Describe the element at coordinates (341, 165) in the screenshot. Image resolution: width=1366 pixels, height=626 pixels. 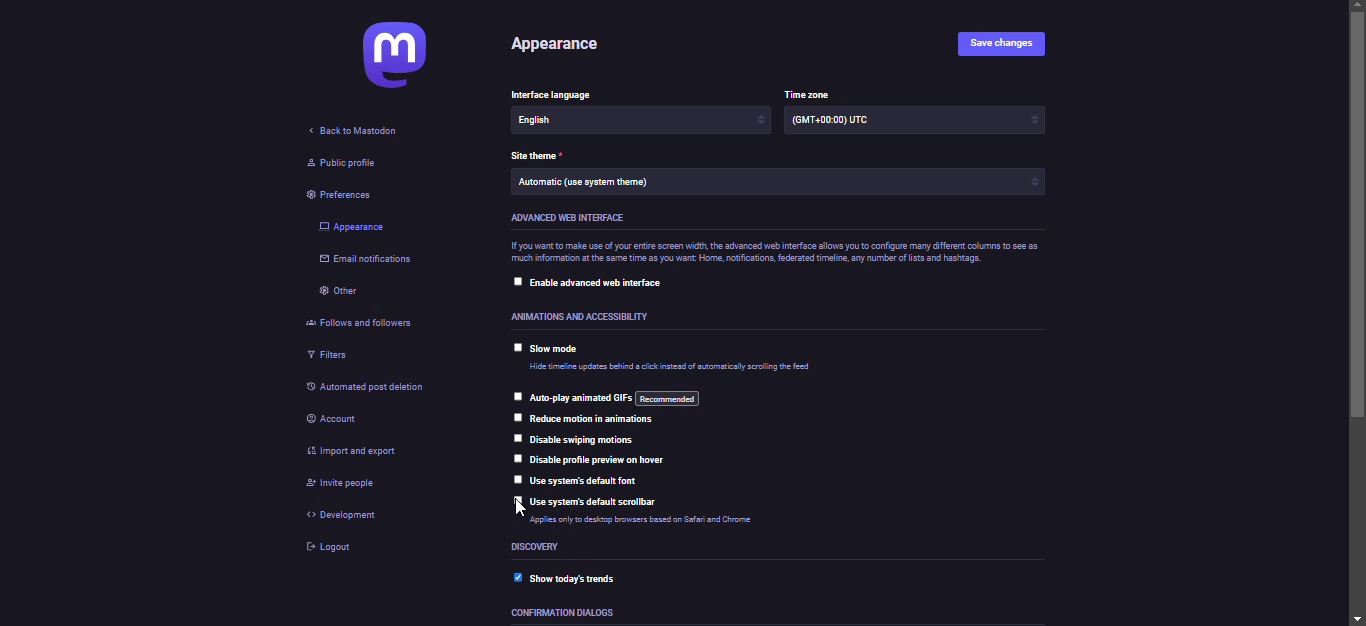
I see `public profile` at that location.